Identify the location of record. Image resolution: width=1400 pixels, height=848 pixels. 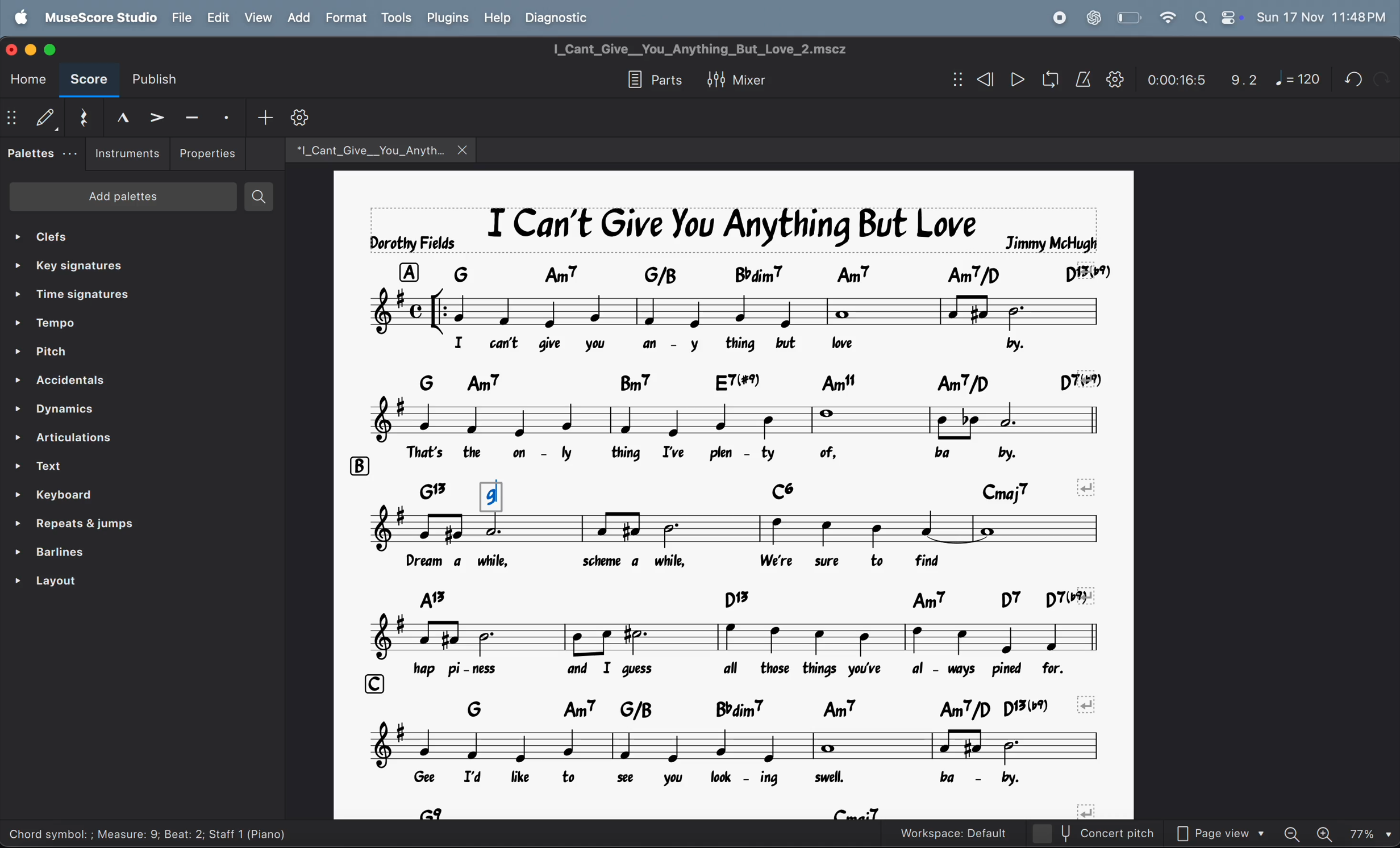
(1058, 19).